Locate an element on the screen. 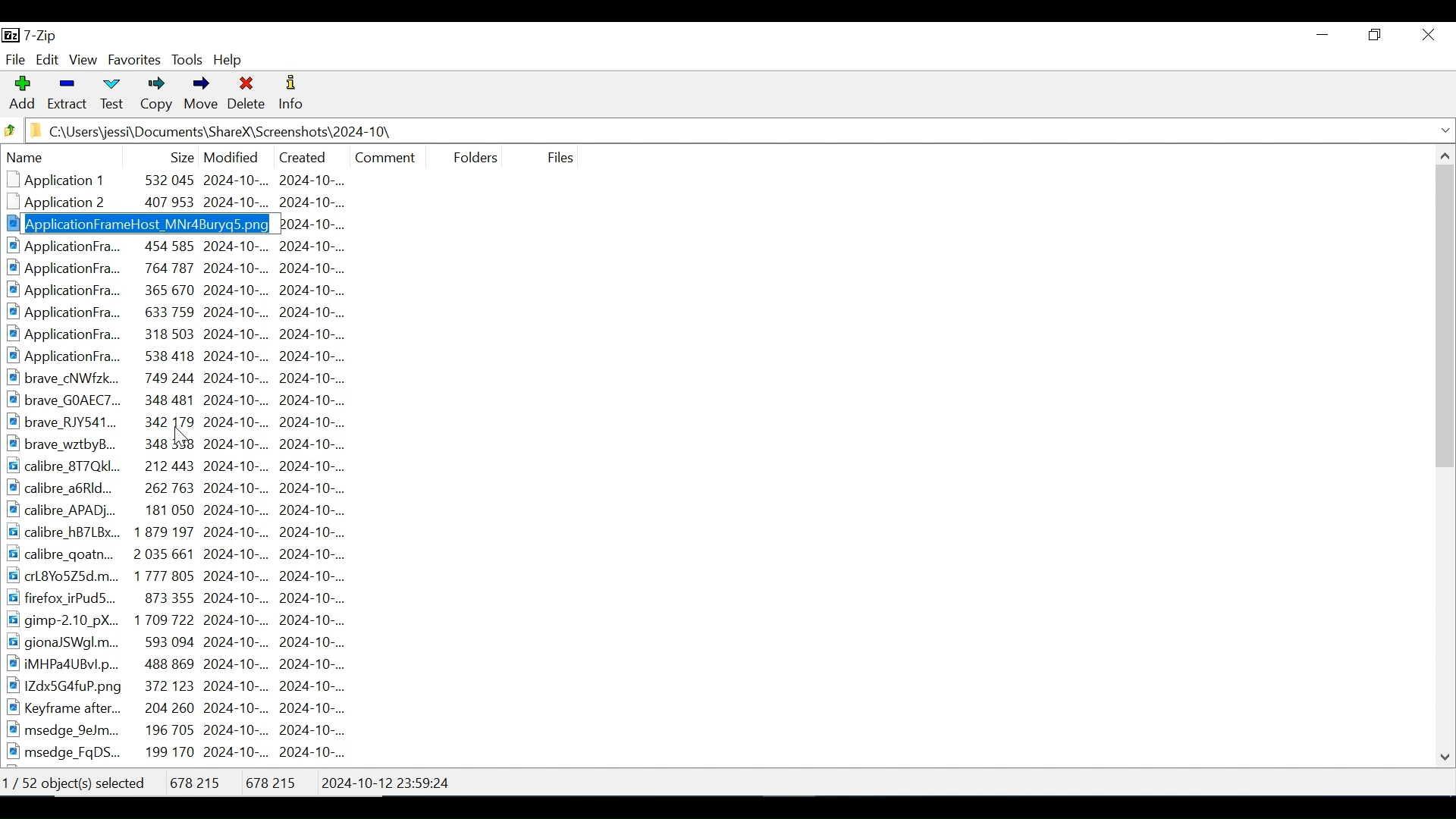  File is located at coordinates (15, 58).